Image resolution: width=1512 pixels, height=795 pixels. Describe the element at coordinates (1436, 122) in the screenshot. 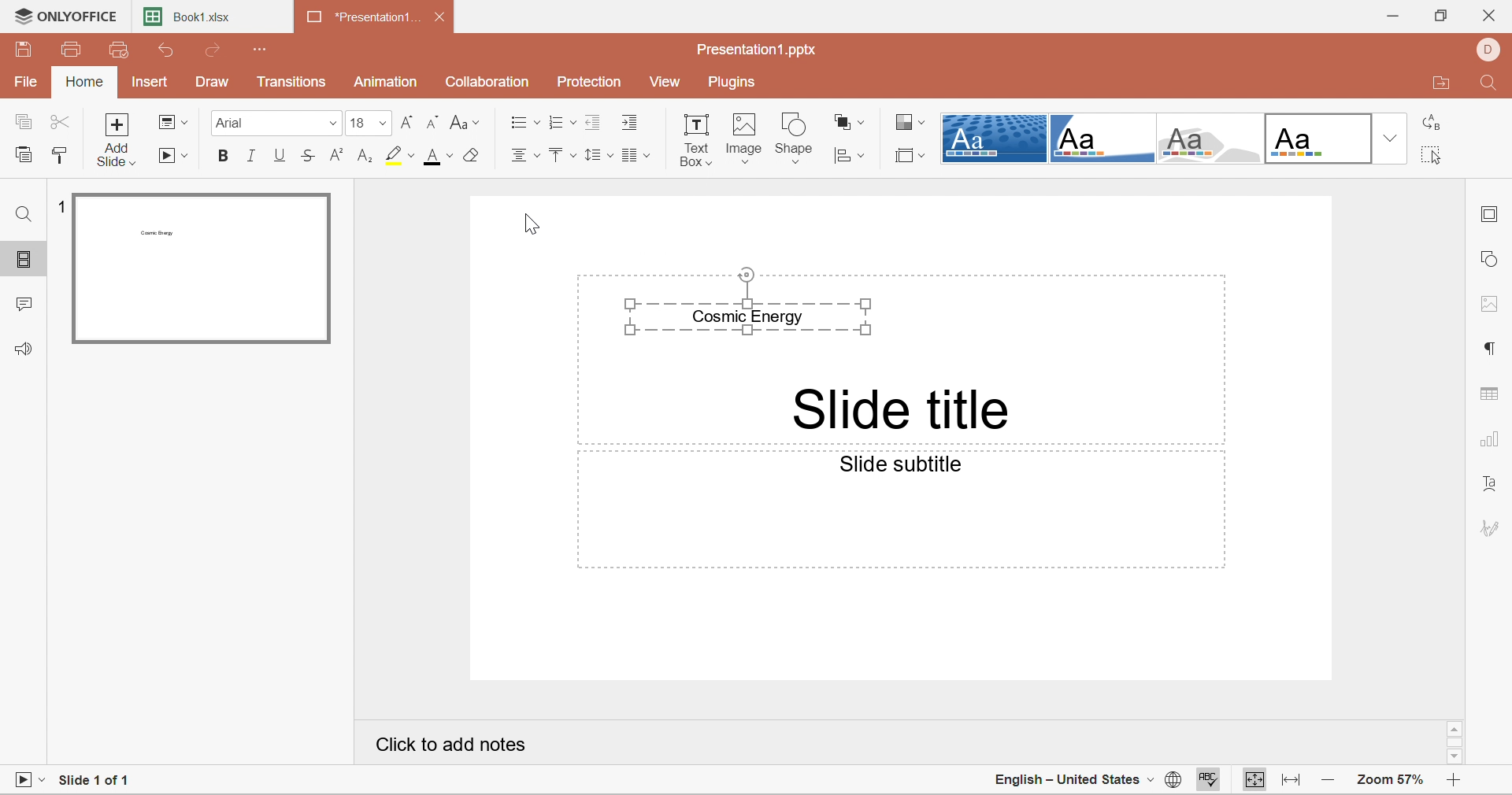

I see `Replace` at that location.